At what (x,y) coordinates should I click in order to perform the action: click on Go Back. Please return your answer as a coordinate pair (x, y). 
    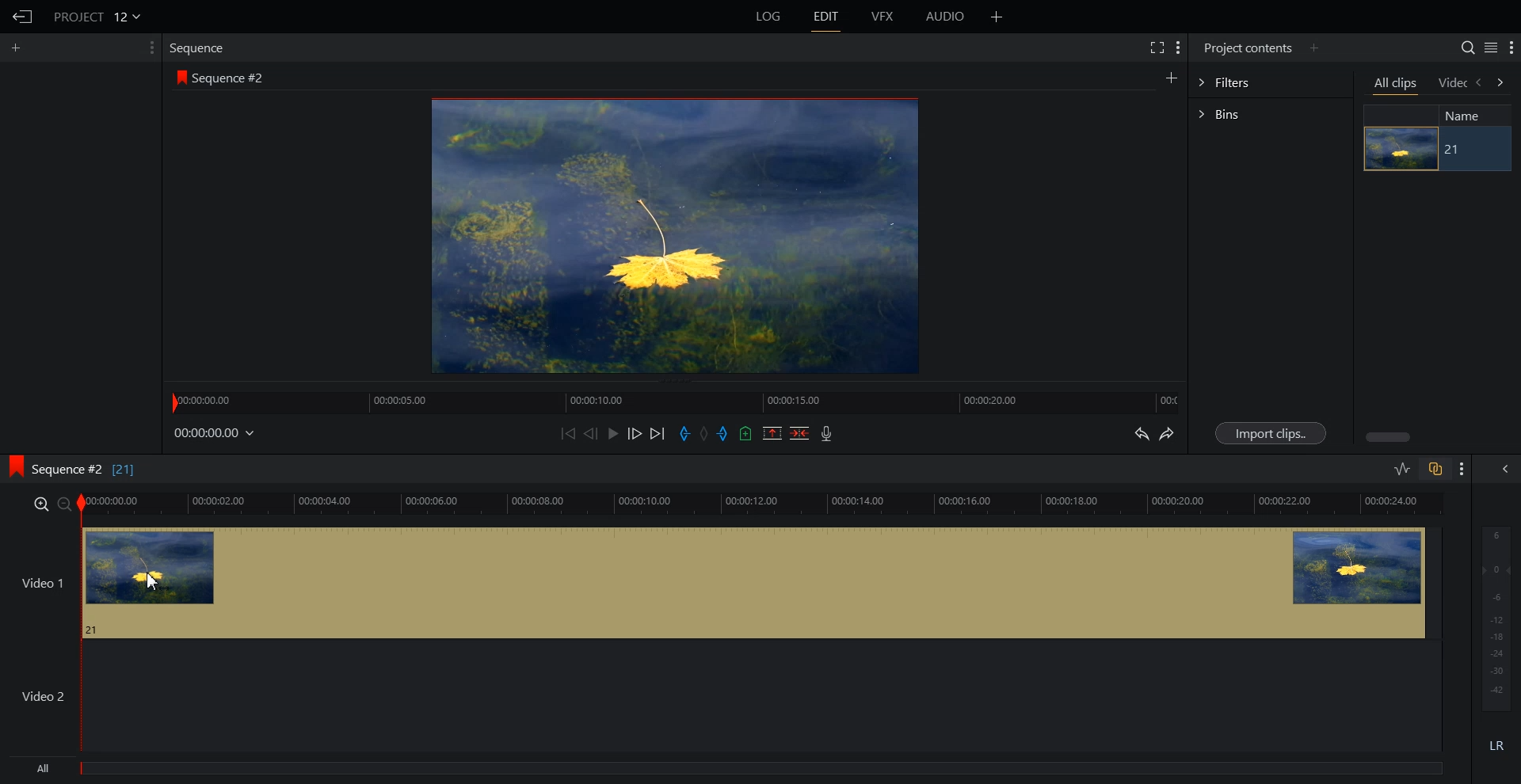
    Looking at the image, I should click on (24, 17).